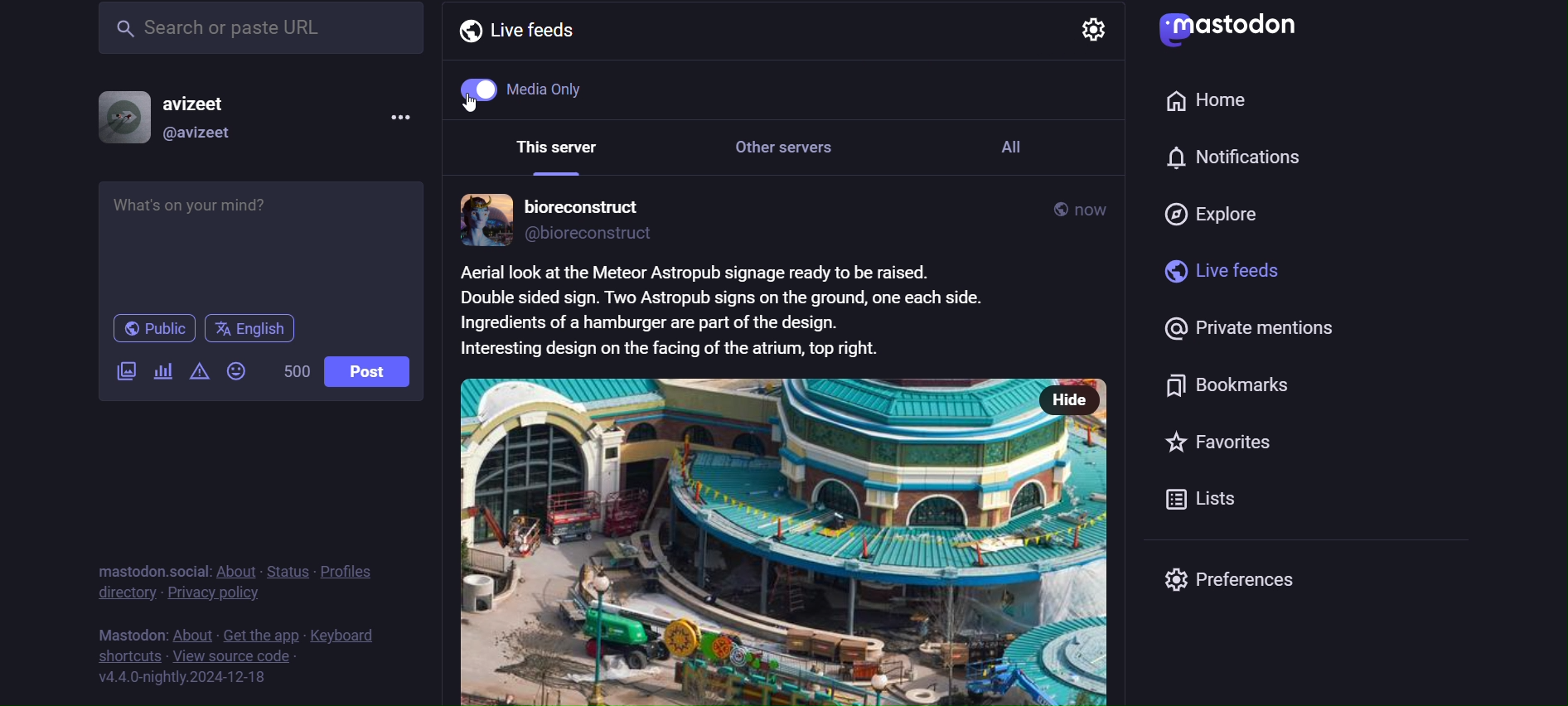  What do you see at coordinates (245, 657) in the screenshot?
I see `view source code` at bounding box center [245, 657].